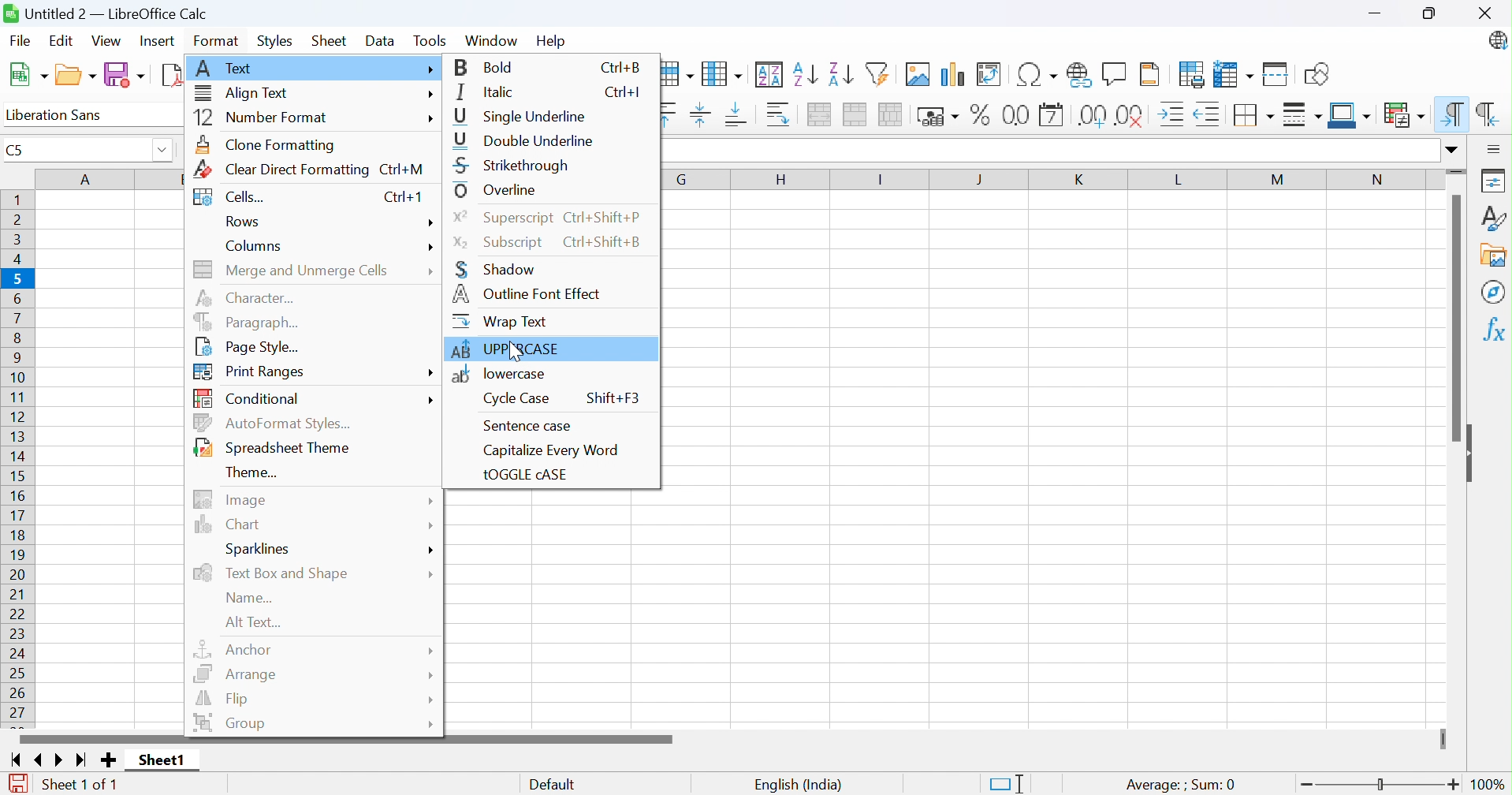 This screenshot has width=1512, height=795. I want to click on Capitalize every word, so click(549, 453).